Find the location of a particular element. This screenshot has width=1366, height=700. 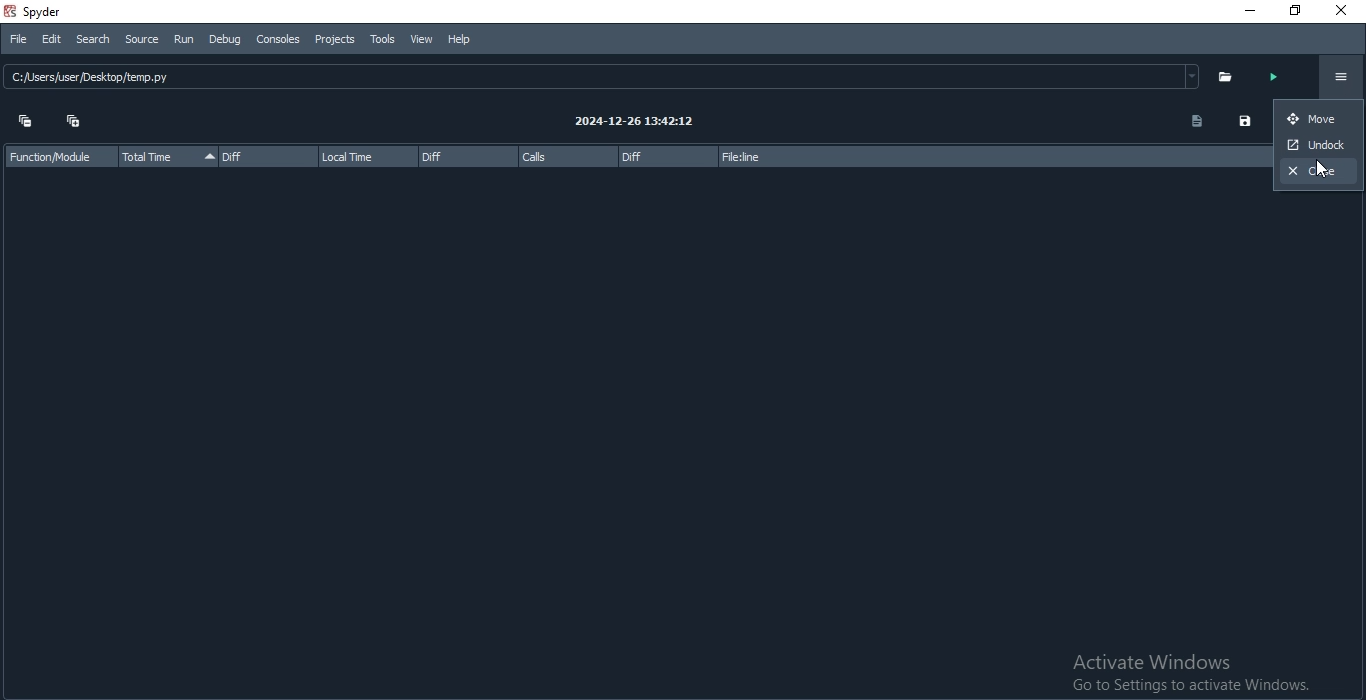

Search is located at coordinates (93, 39).